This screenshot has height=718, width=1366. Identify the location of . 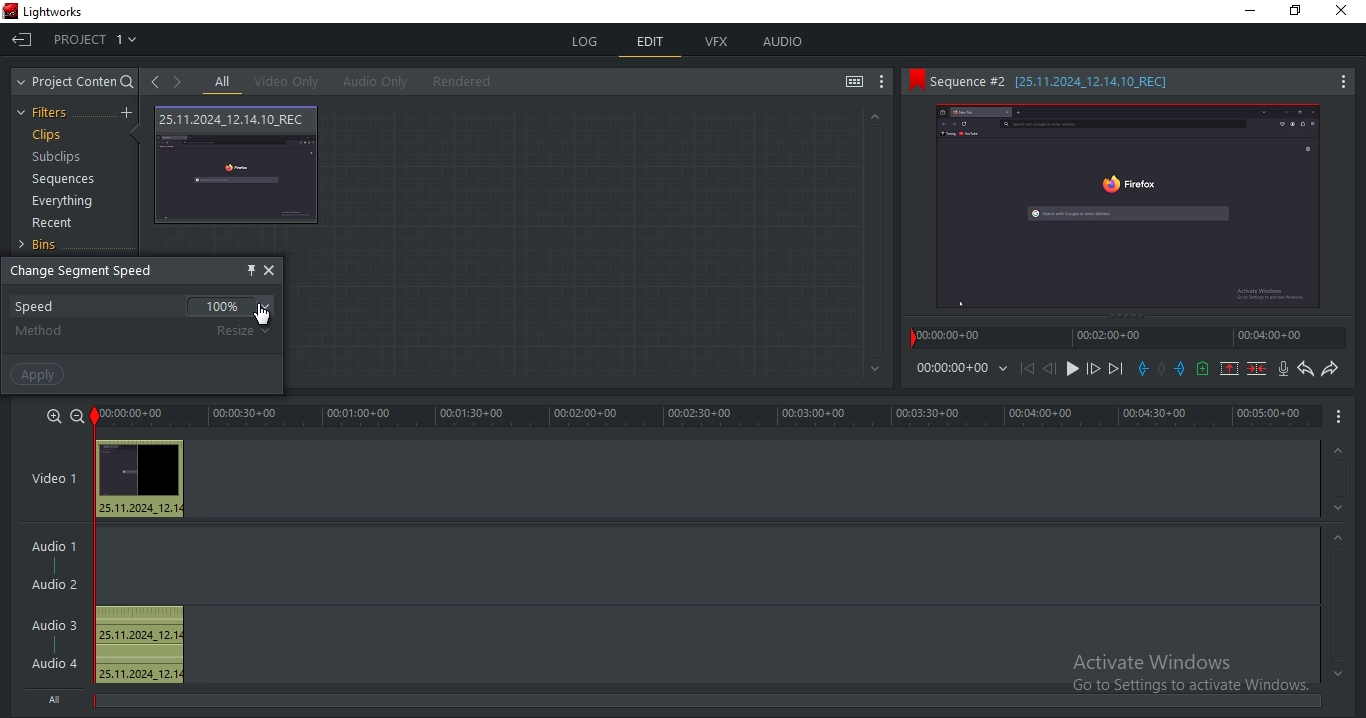
(855, 82).